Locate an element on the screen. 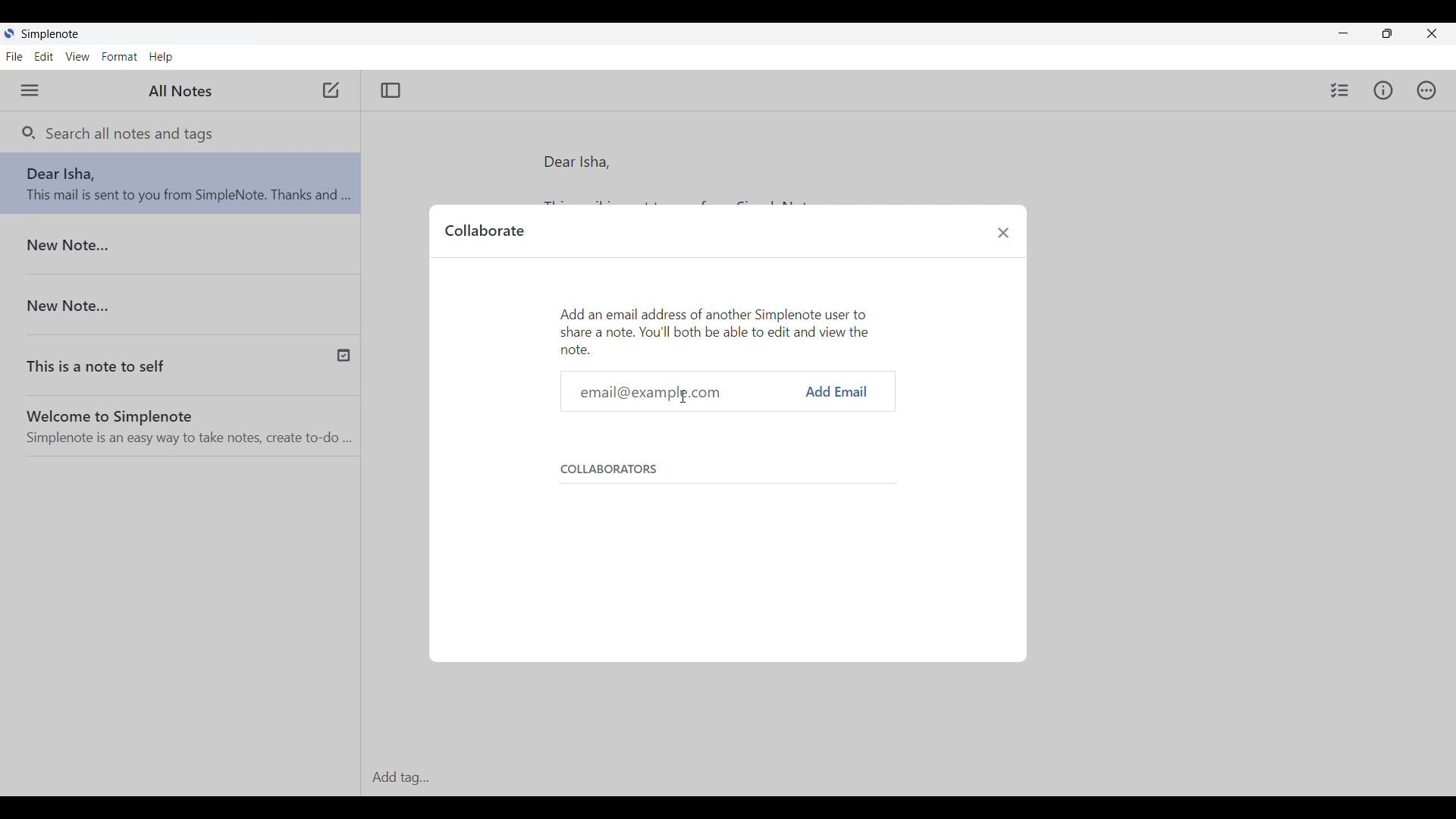 This screenshot has width=1456, height=819. Format is located at coordinates (120, 57).